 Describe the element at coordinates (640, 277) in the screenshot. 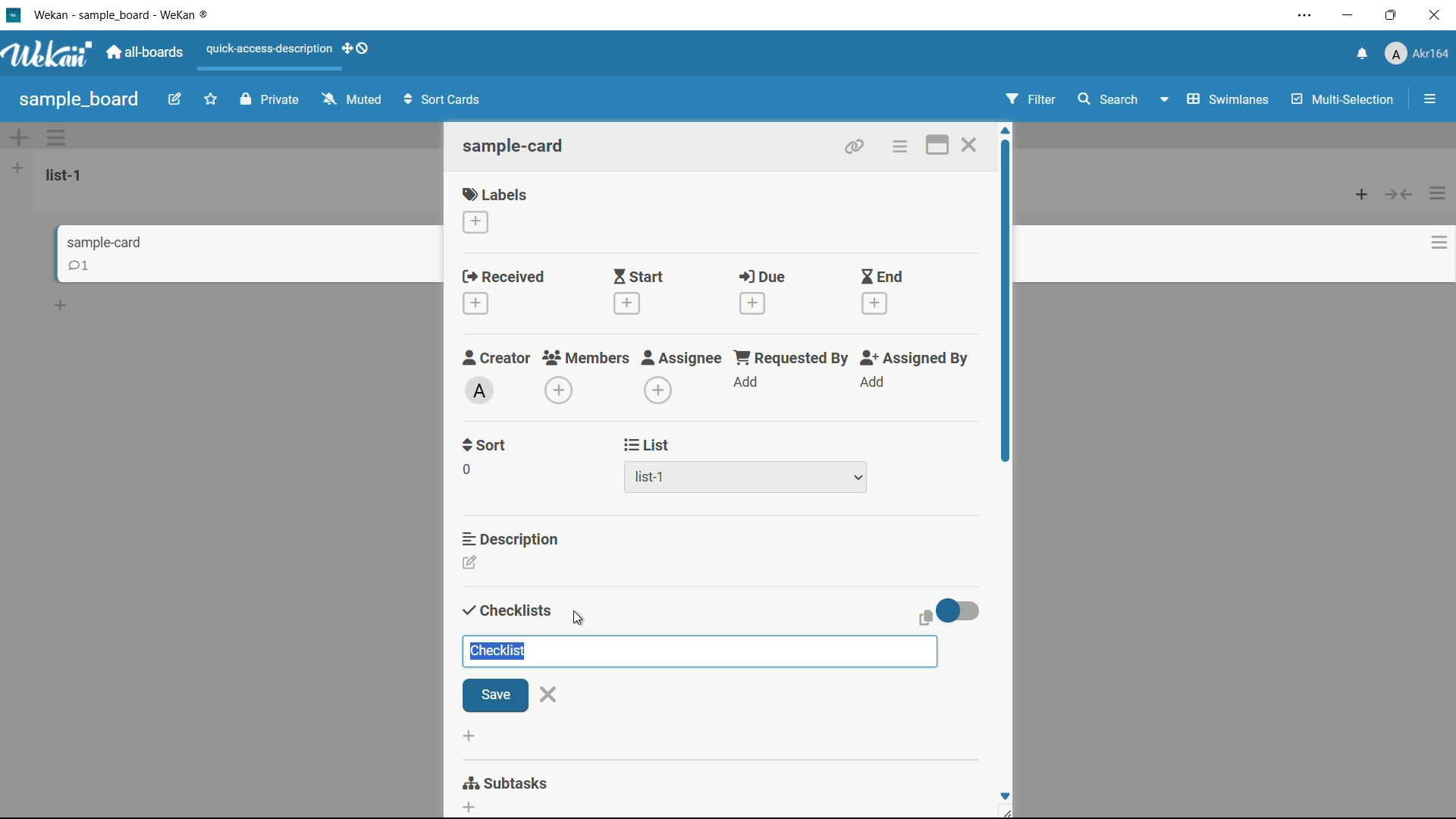

I see `start` at that location.